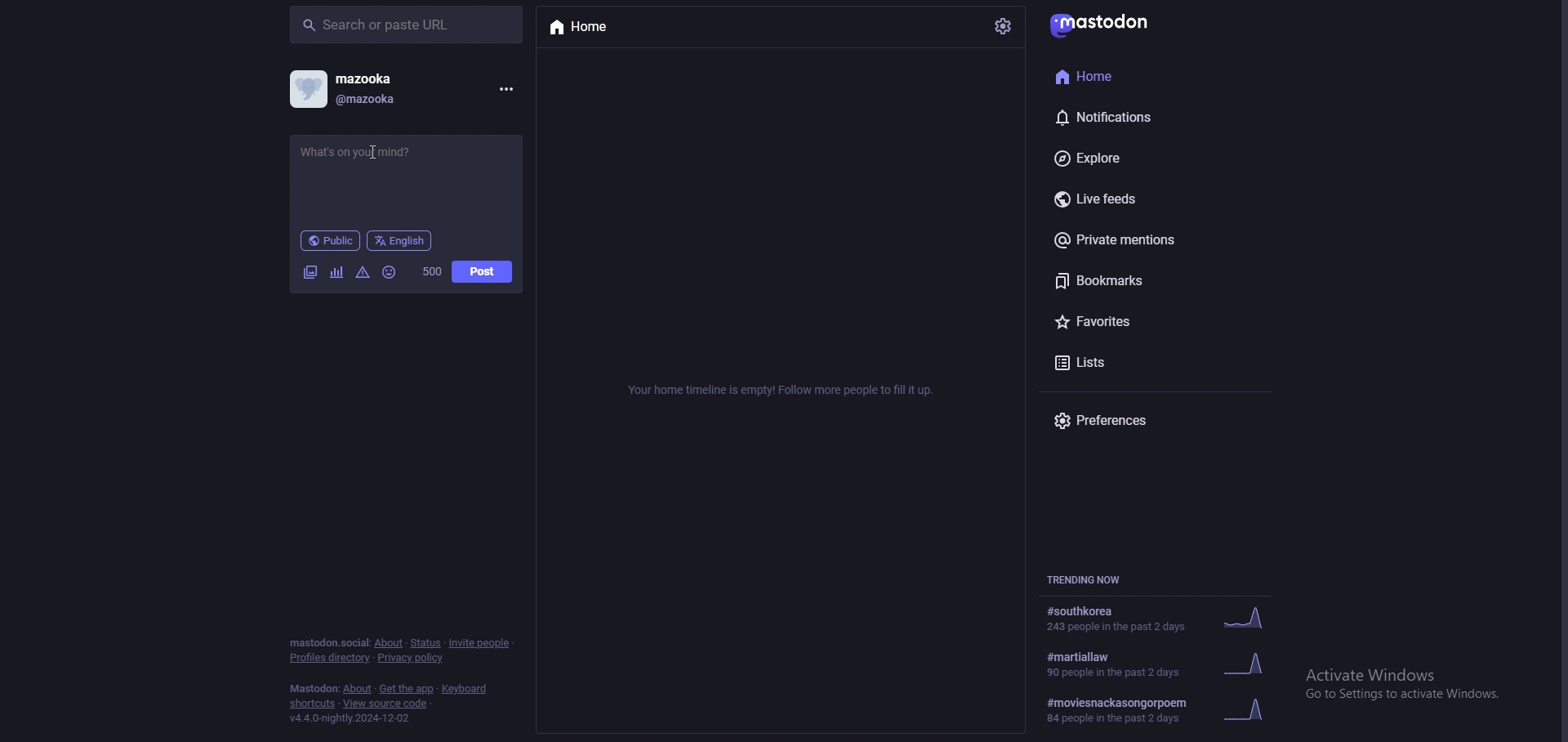  What do you see at coordinates (1135, 364) in the screenshot?
I see `lists` at bounding box center [1135, 364].